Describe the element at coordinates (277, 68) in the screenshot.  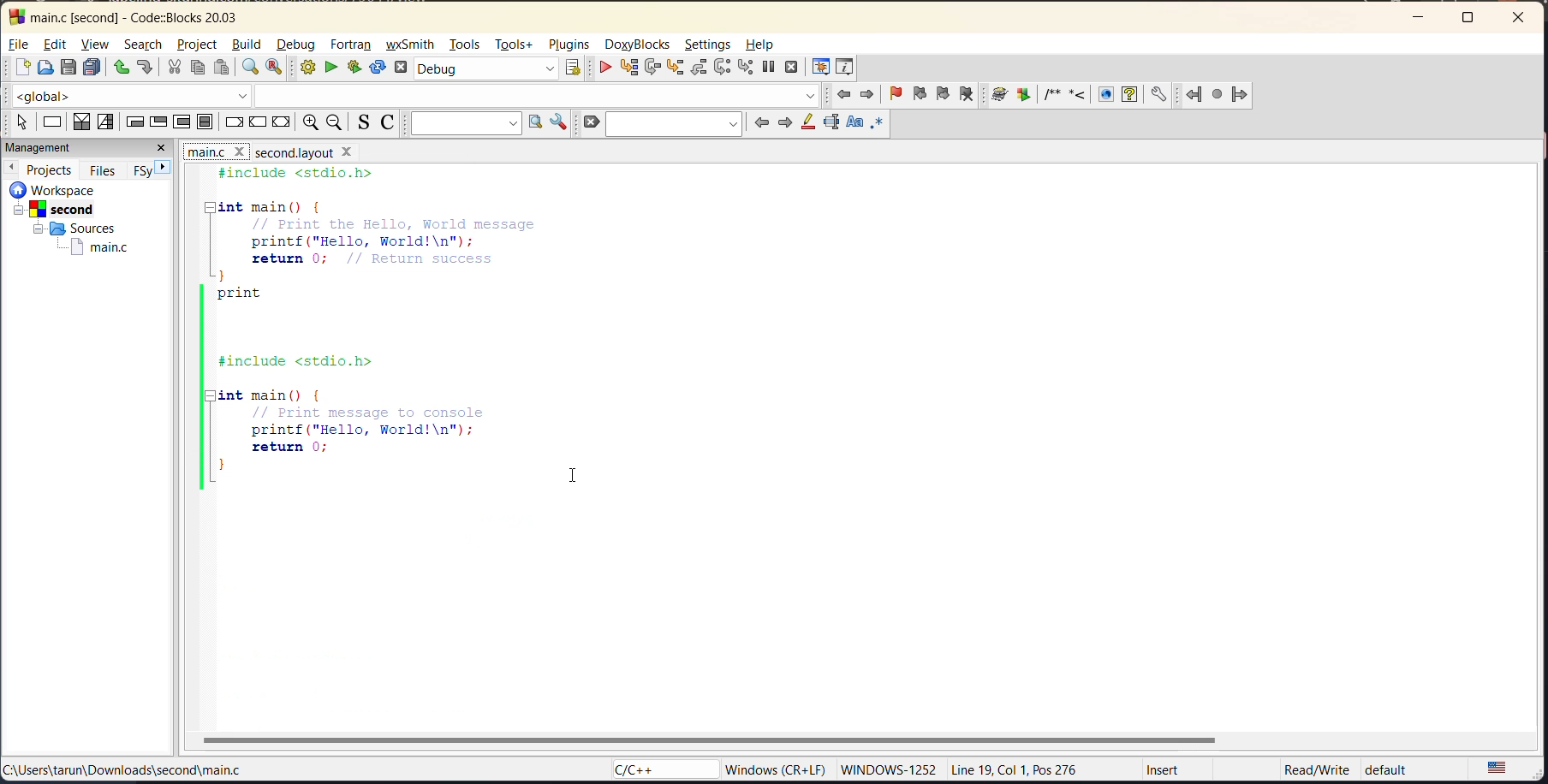
I see `replace` at that location.